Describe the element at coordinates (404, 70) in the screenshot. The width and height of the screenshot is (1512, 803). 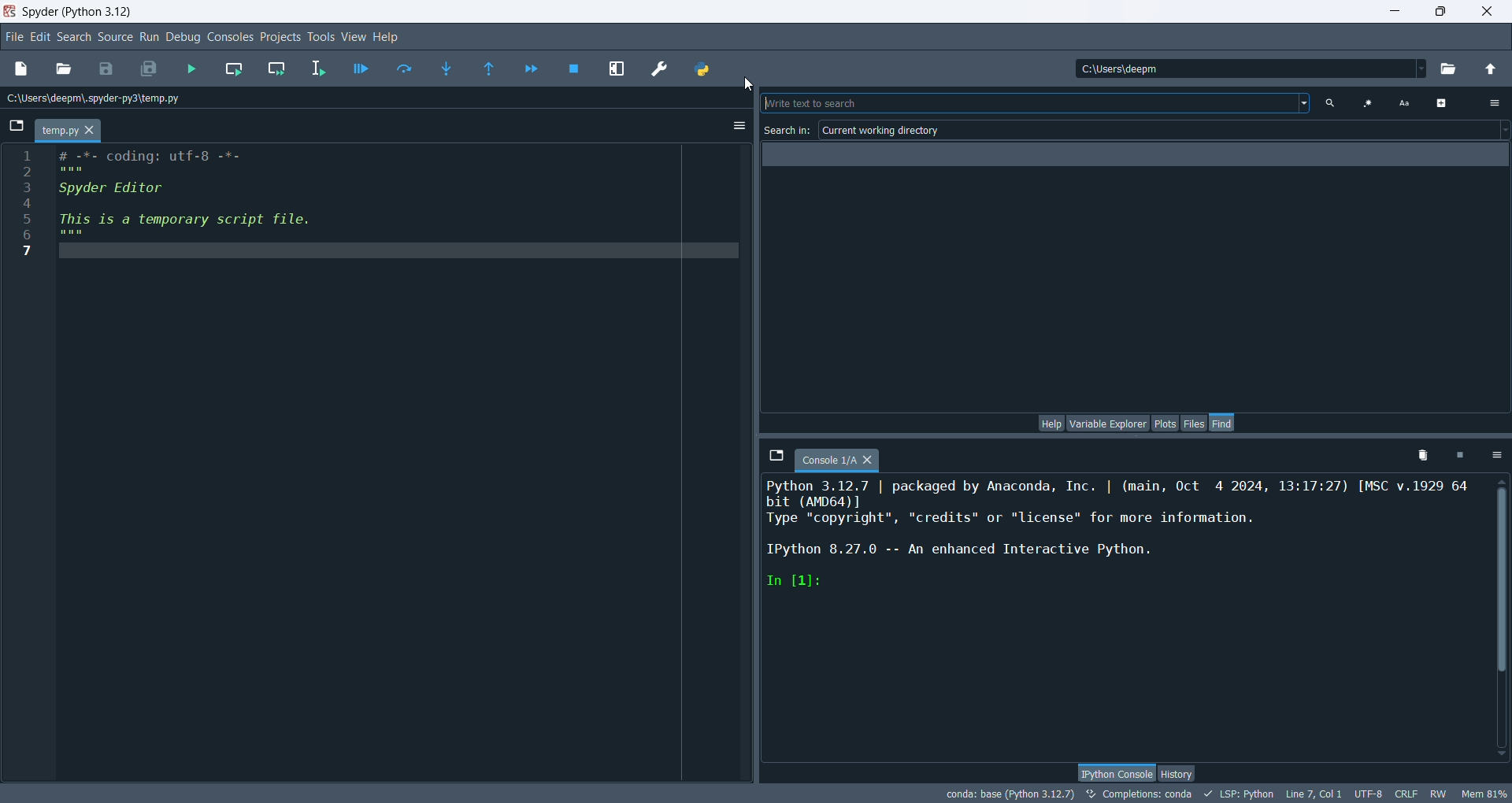
I see `run current line` at that location.